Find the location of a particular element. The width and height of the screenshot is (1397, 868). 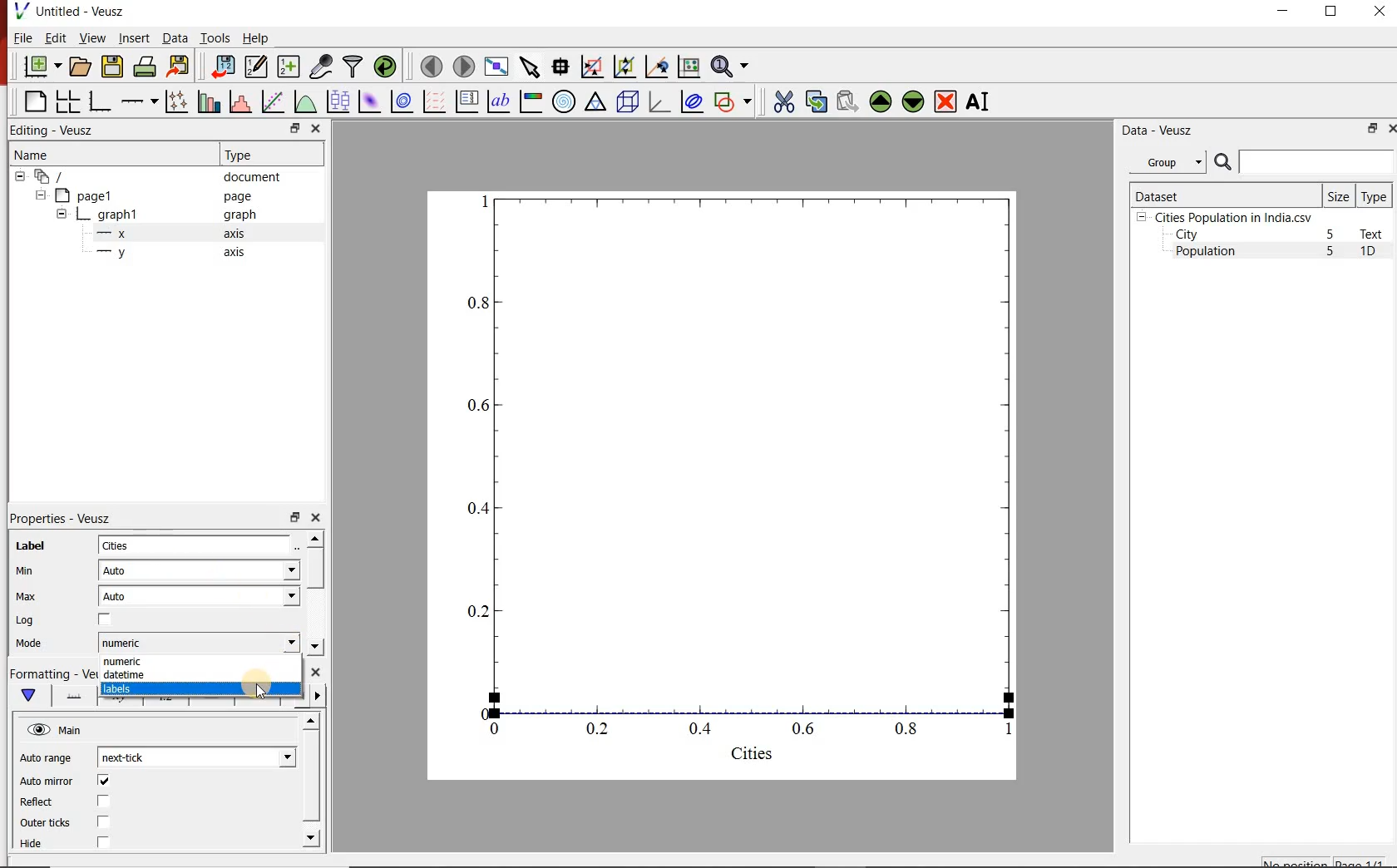

restore is located at coordinates (1373, 128).